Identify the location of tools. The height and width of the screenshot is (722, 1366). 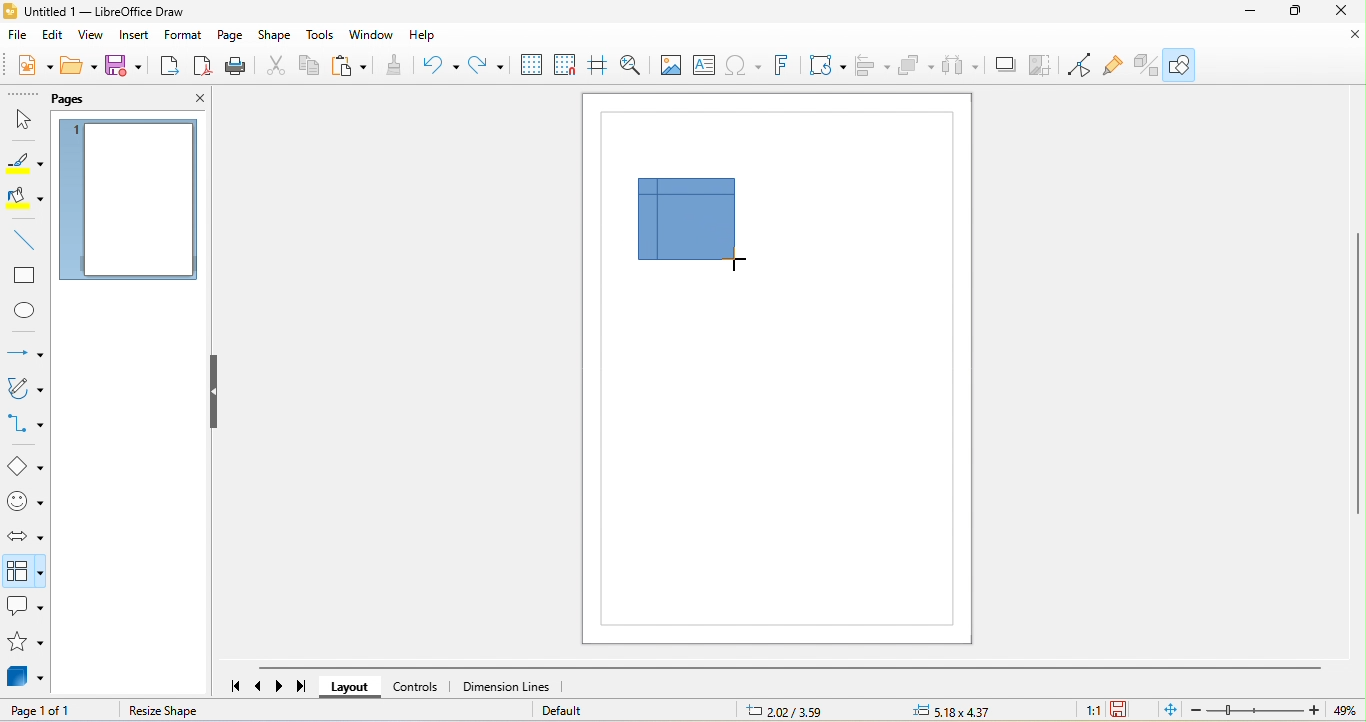
(323, 38).